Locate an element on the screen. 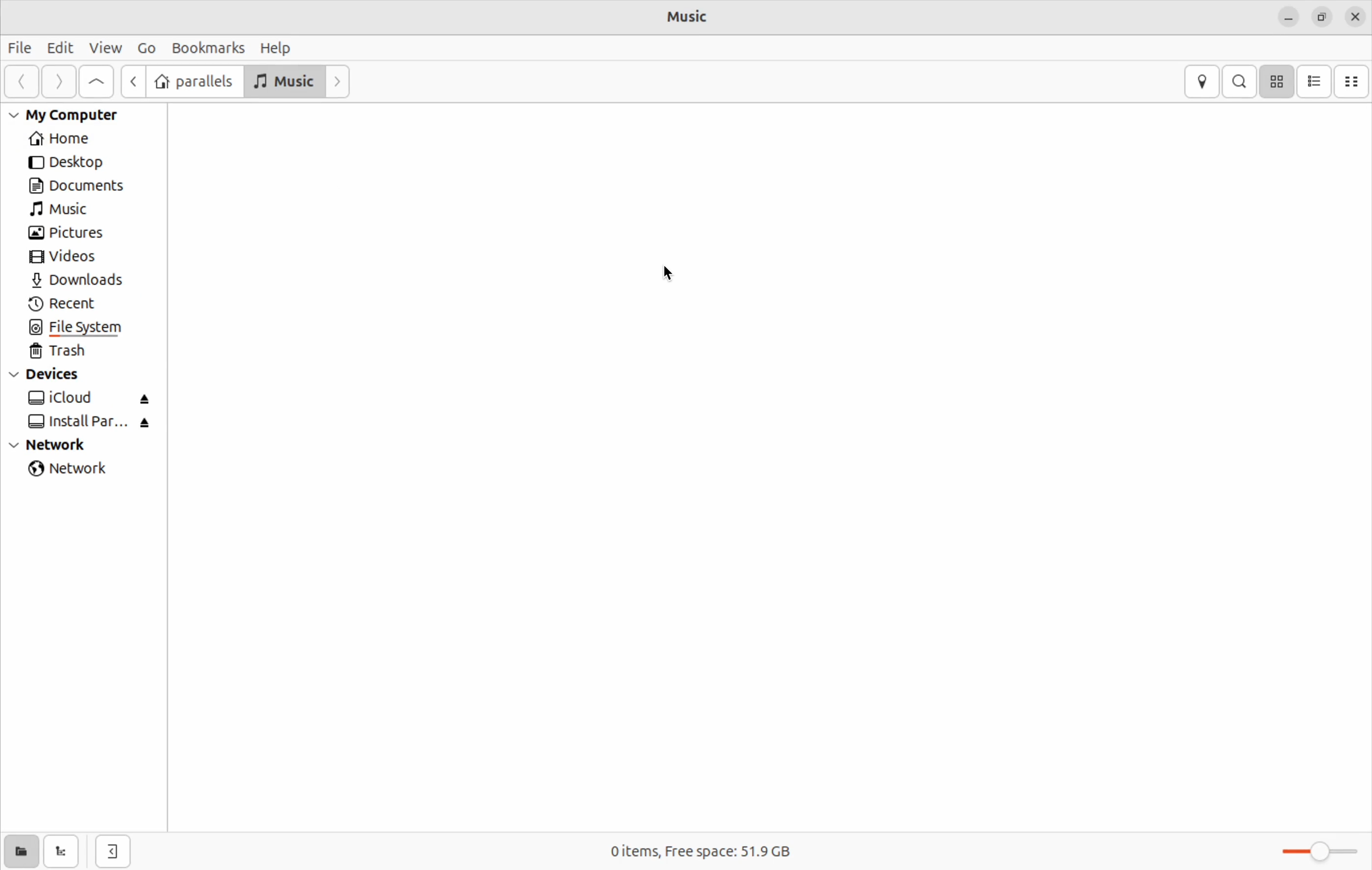 The width and height of the screenshot is (1372, 870). previous is located at coordinates (19, 81).